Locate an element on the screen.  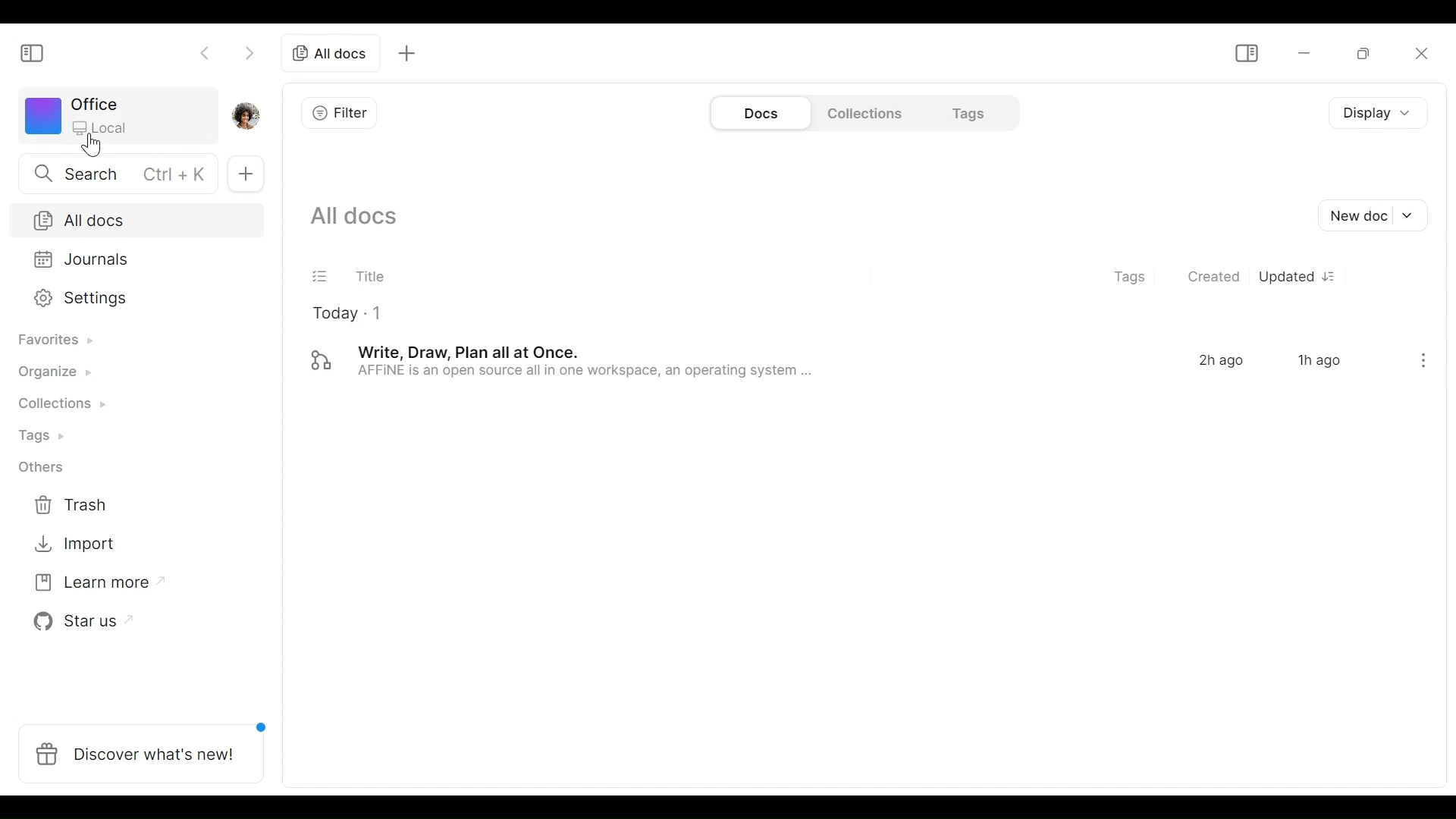
New tab is located at coordinates (406, 52).